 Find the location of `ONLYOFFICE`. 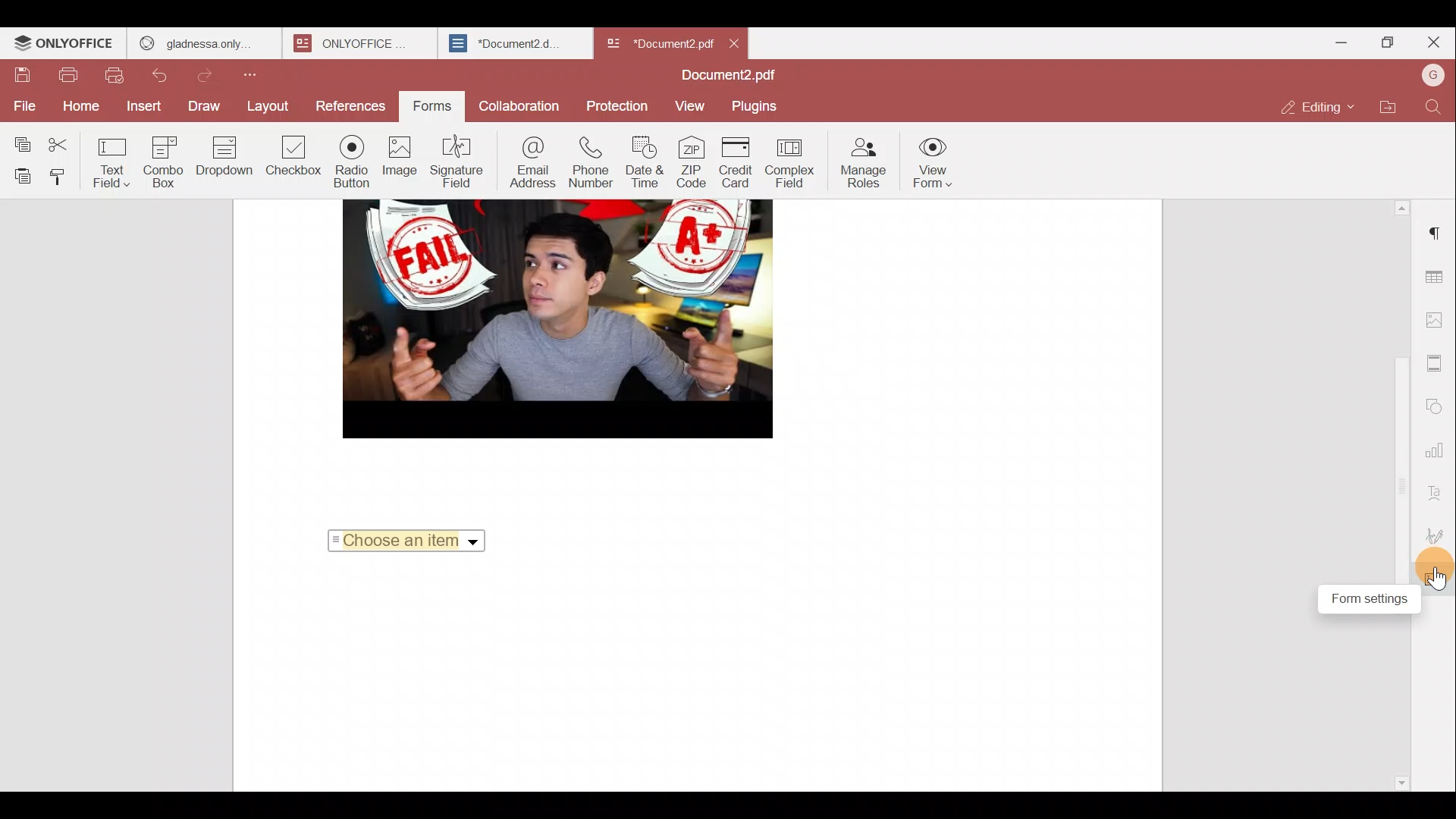

ONLYOFFICE is located at coordinates (350, 43).